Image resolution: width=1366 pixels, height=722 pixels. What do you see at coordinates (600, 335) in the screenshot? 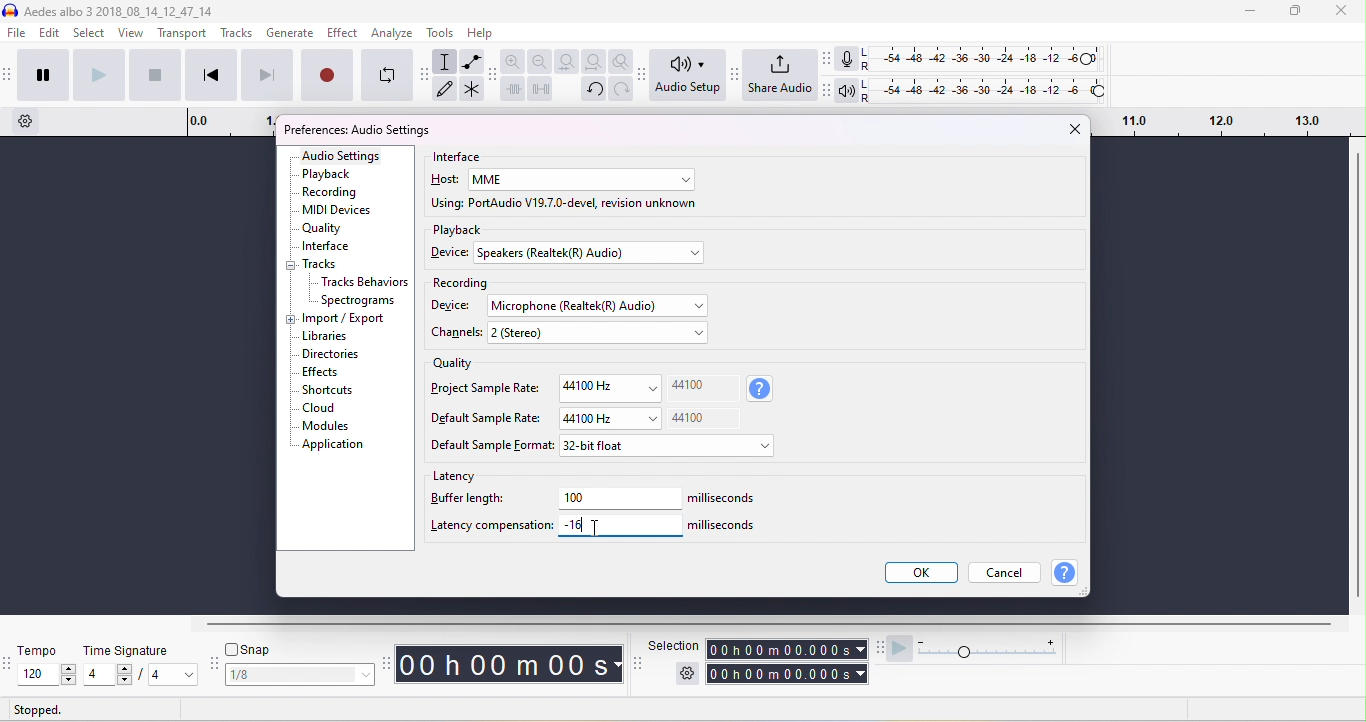
I see `select channels` at bounding box center [600, 335].